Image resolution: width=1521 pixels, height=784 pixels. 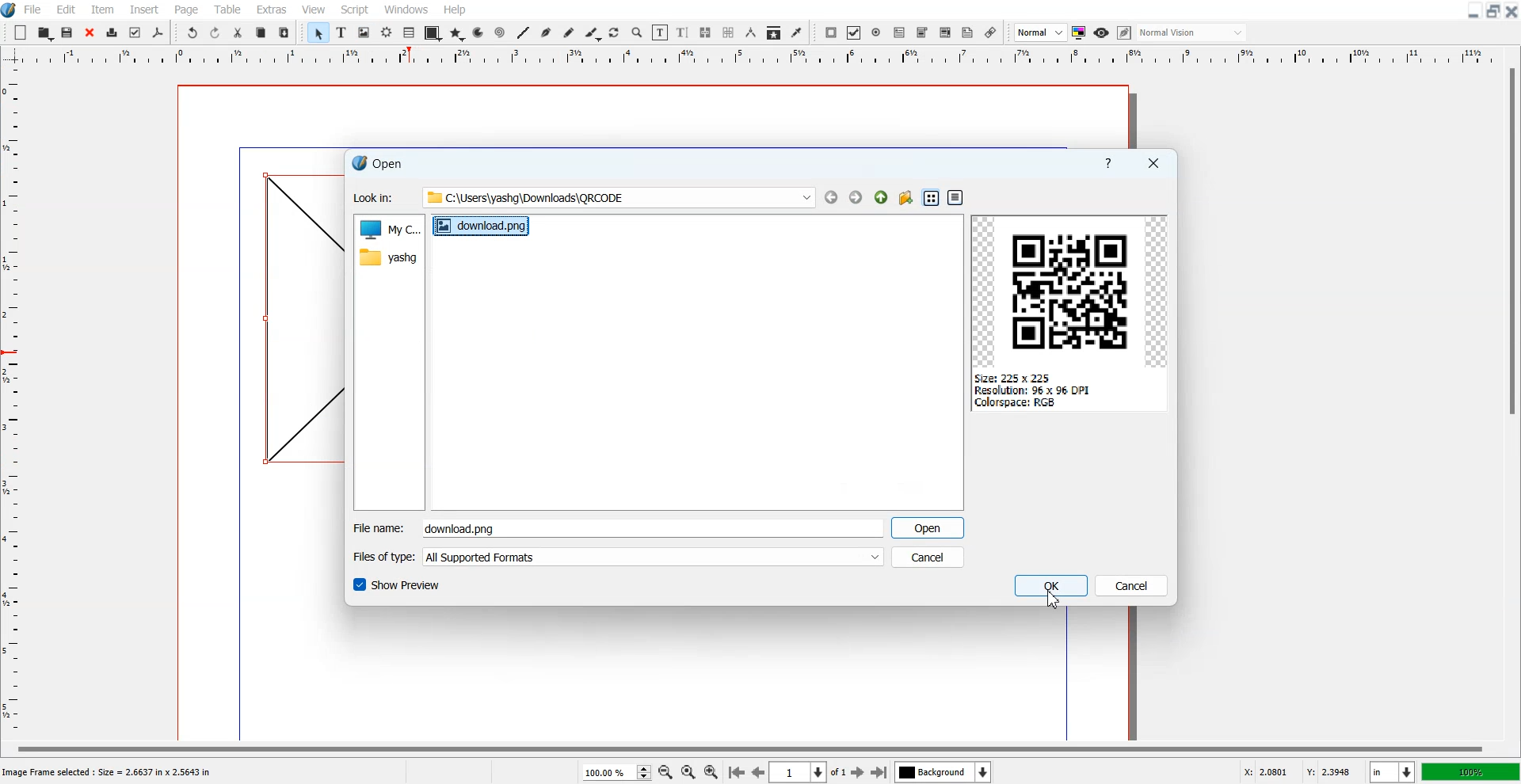 What do you see at coordinates (928, 558) in the screenshot?
I see `Cancel` at bounding box center [928, 558].